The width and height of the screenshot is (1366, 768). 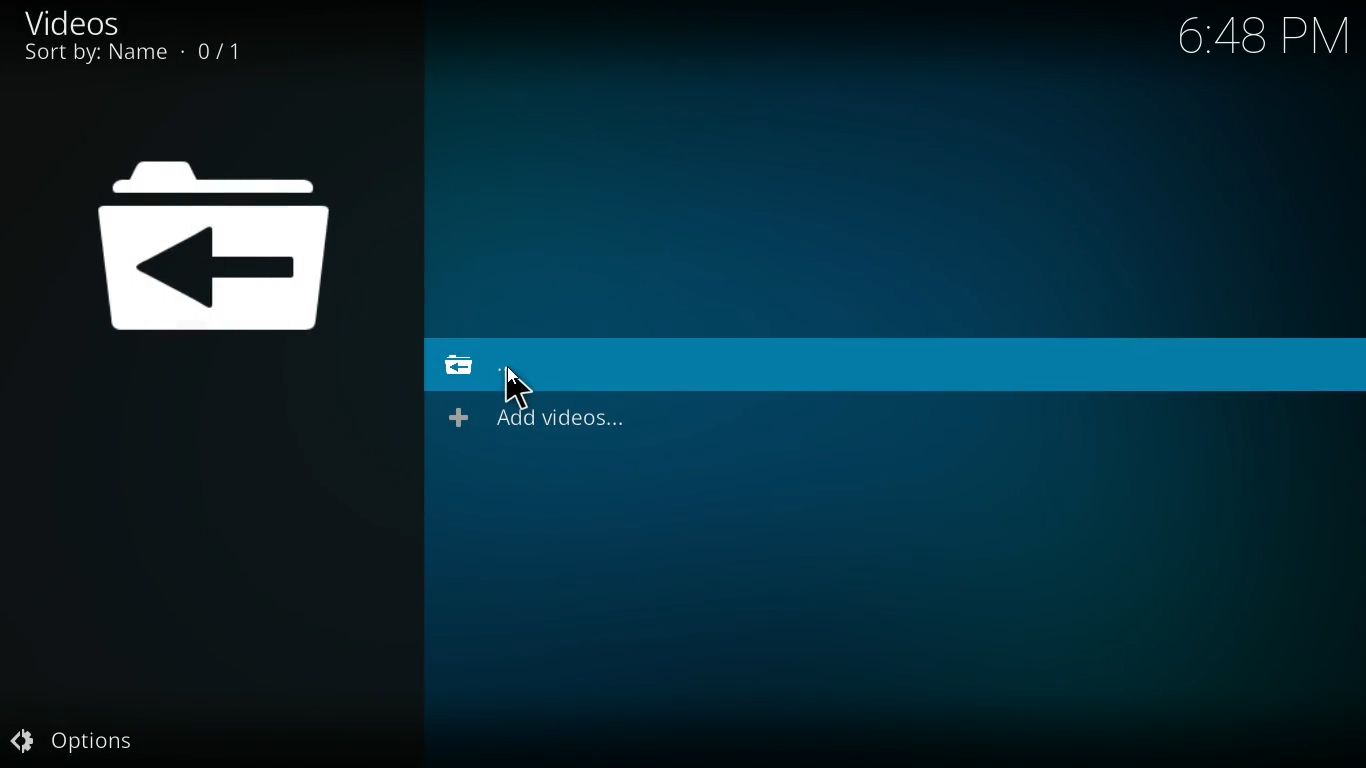 I want to click on time, so click(x=1250, y=37).